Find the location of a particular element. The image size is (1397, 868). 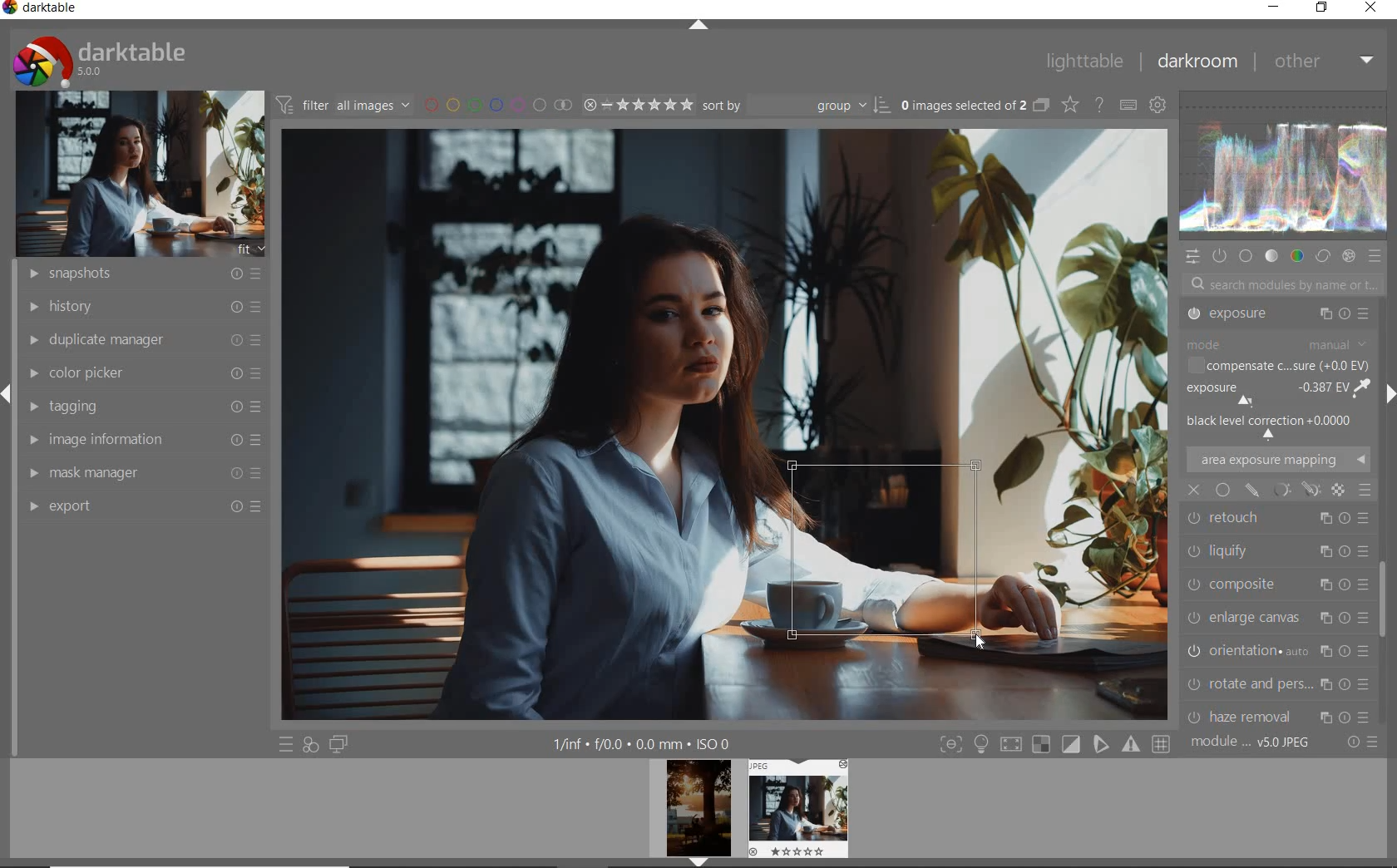

OTHER INTERFACE DETAILS is located at coordinates (643, 744).